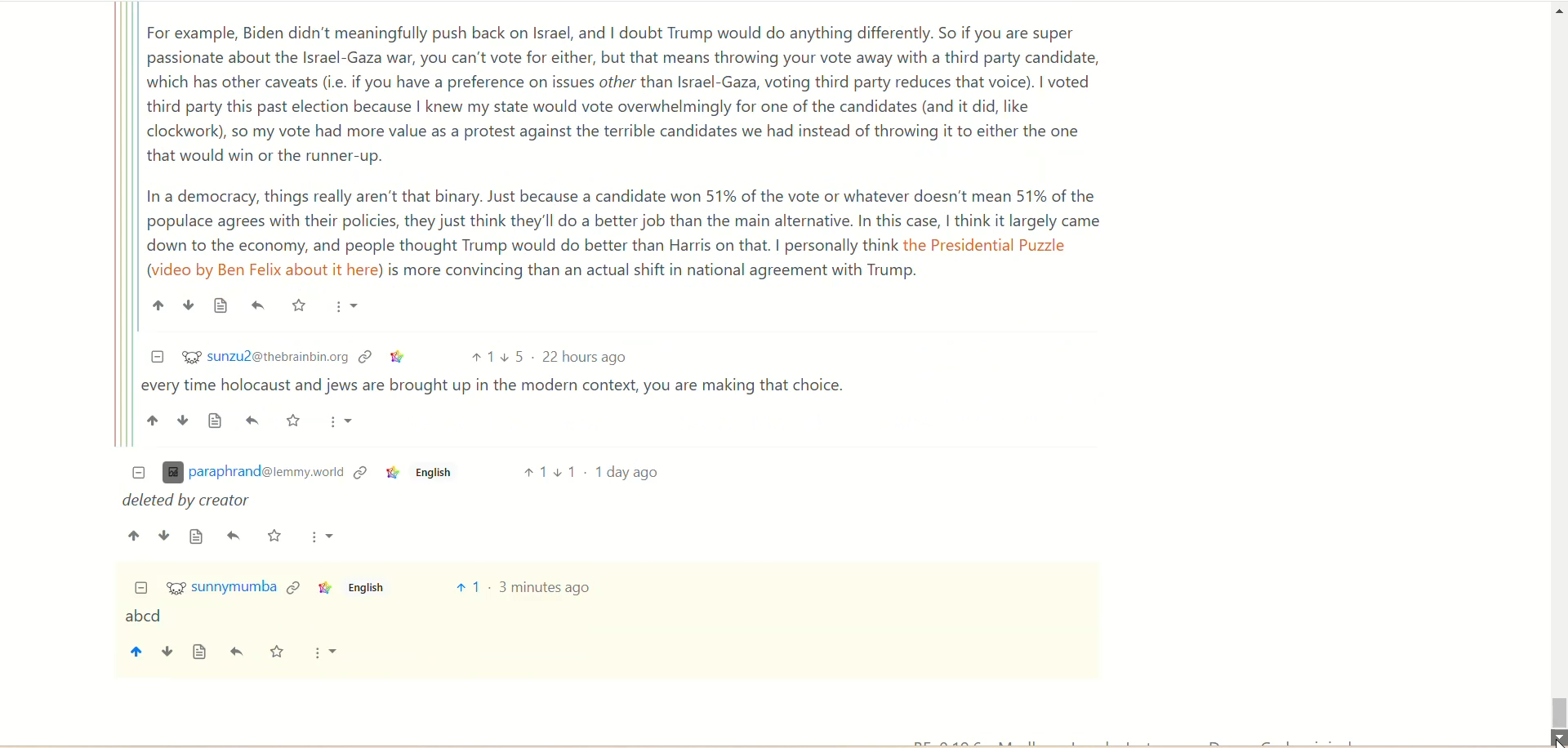 This screenshot has width=1568, height=748. What do you see at coordinates (365, 588) in the screenshot?
I see `English` at bounding box center [365, 588].